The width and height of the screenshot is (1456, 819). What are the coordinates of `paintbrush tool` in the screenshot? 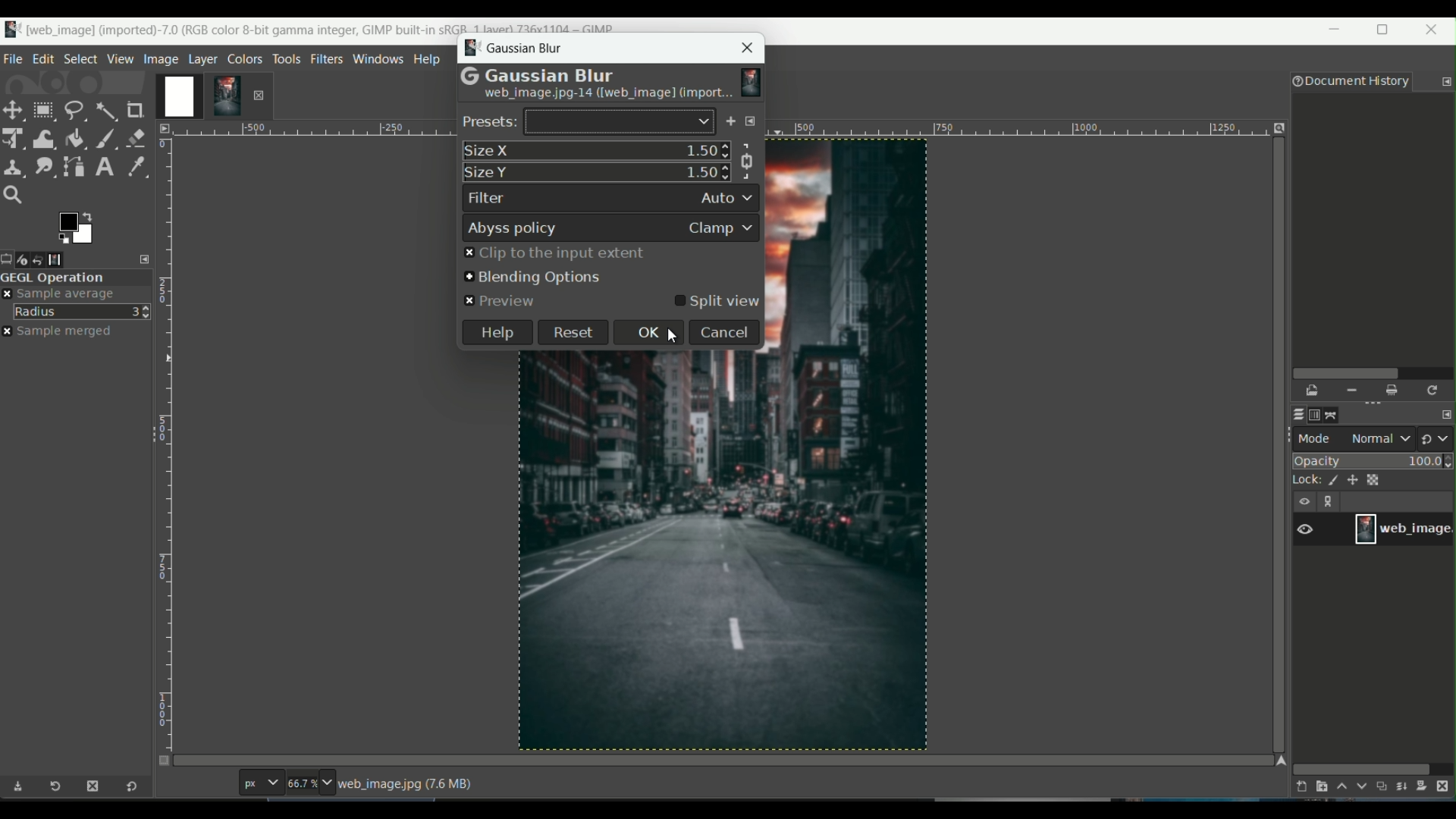 It's located at (105, 137).